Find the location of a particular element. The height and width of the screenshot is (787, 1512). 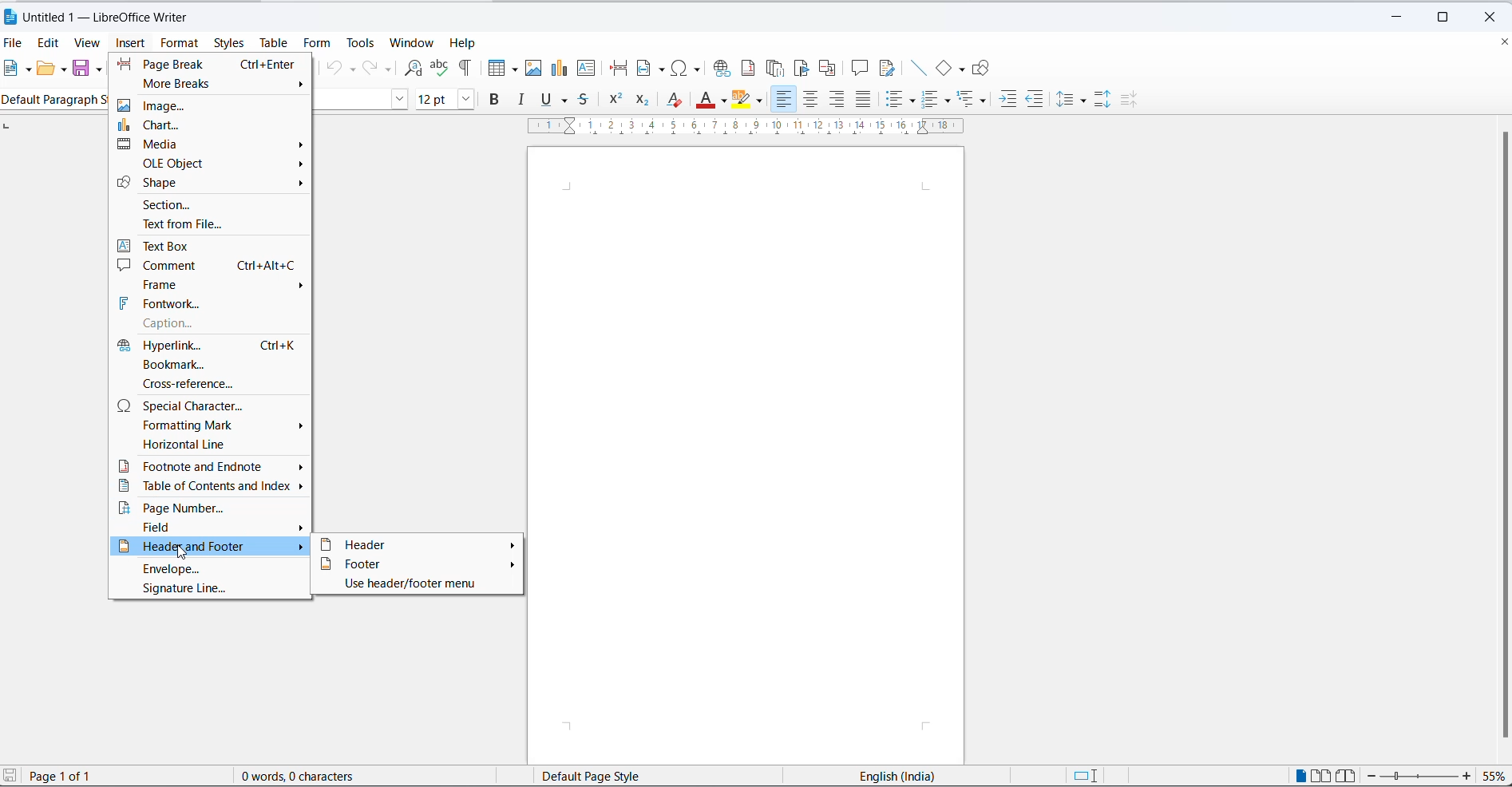

insert chart is located at coordinates (560, 69).